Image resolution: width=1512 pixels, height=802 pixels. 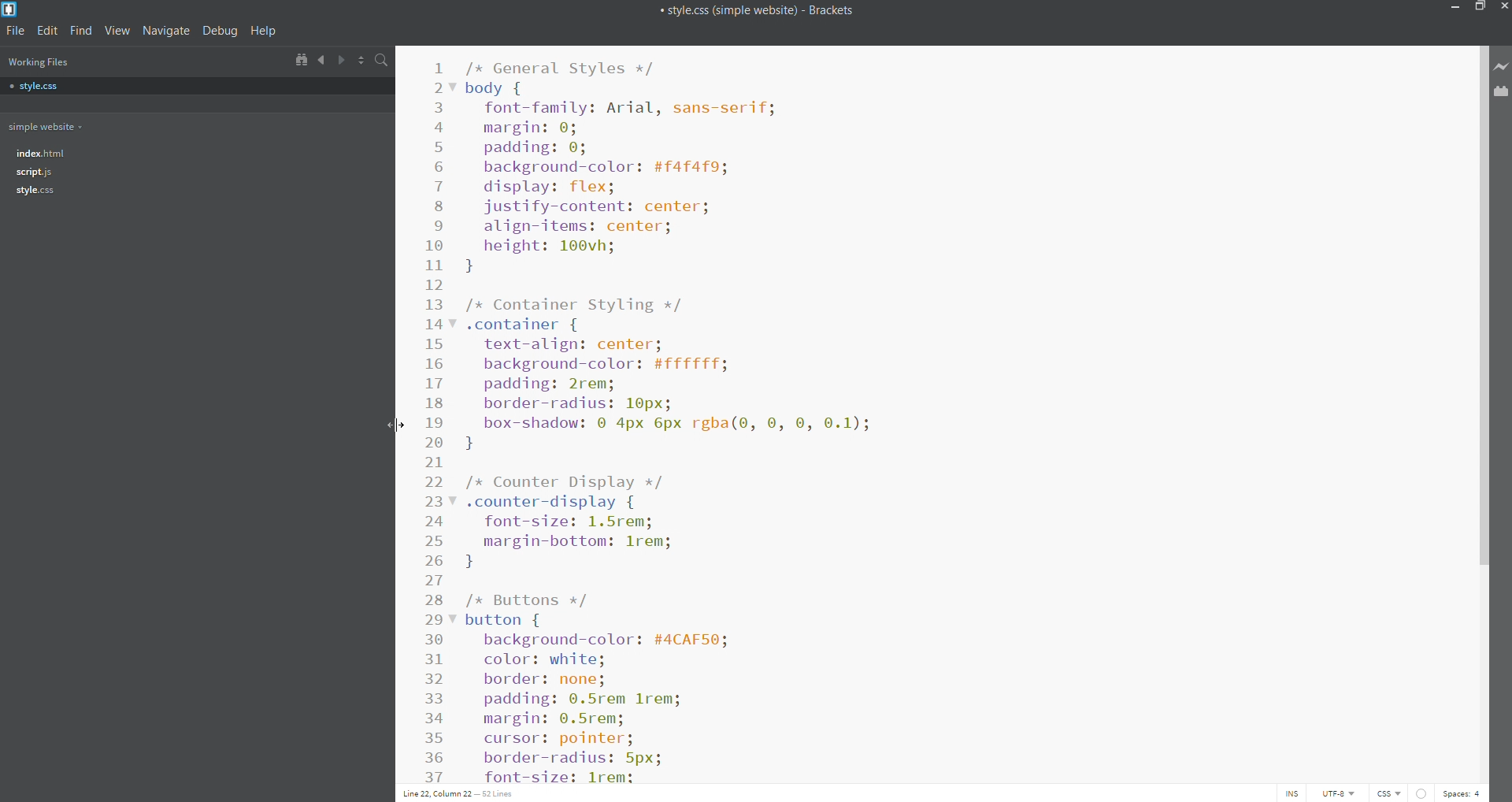 What do you see at coordinates (220, 31) in the screenshot?
I see `debug` at bounding box center [220, 31].